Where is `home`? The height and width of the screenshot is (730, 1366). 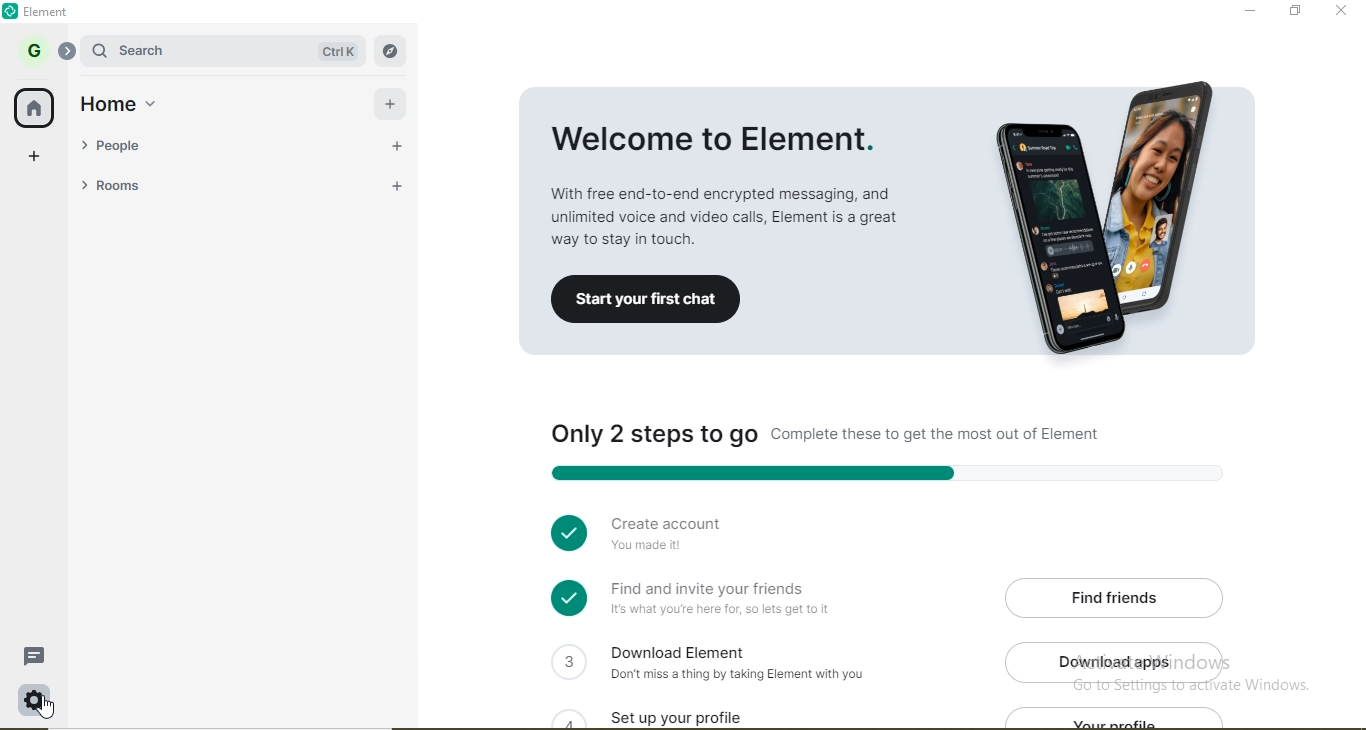
home is located at coordinates (36, 109).